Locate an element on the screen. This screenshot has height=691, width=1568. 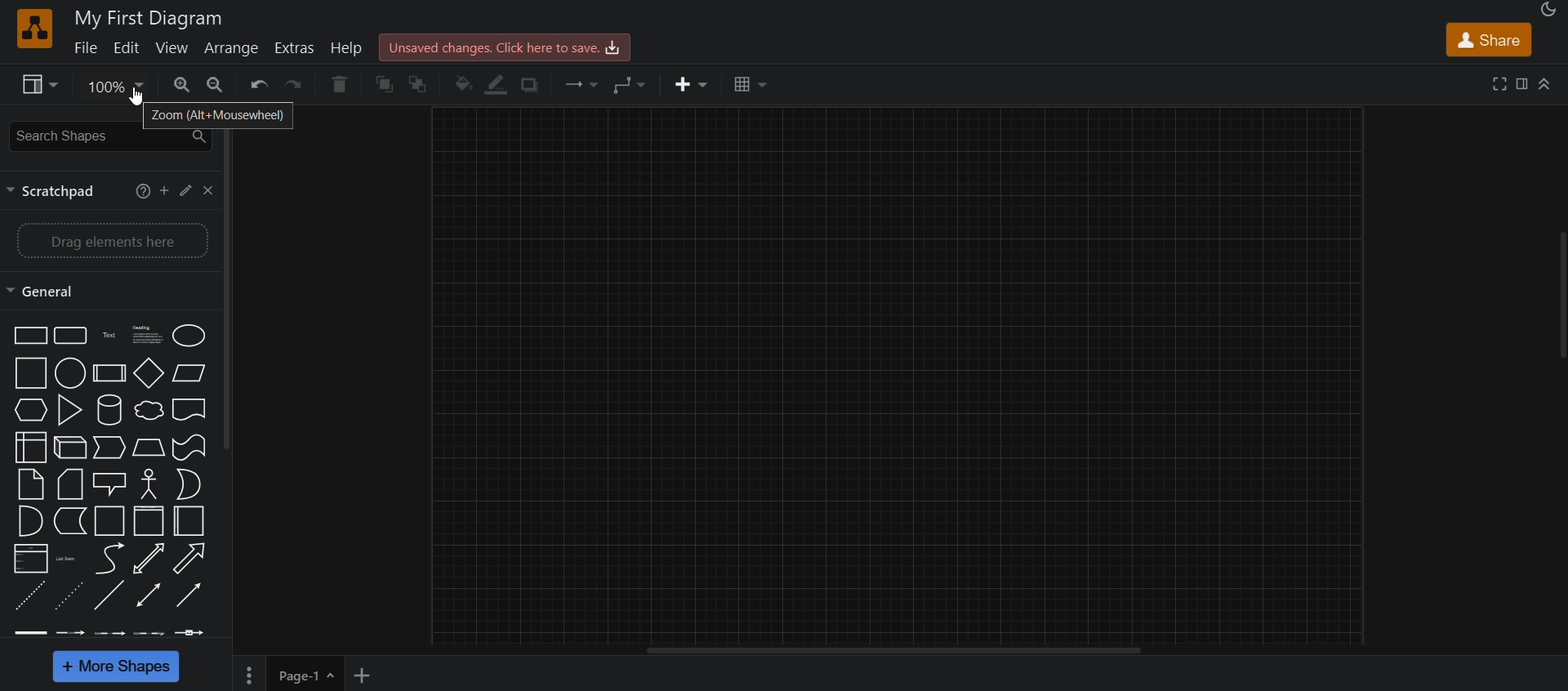
click here to save. is located at coordinates (510, 46).